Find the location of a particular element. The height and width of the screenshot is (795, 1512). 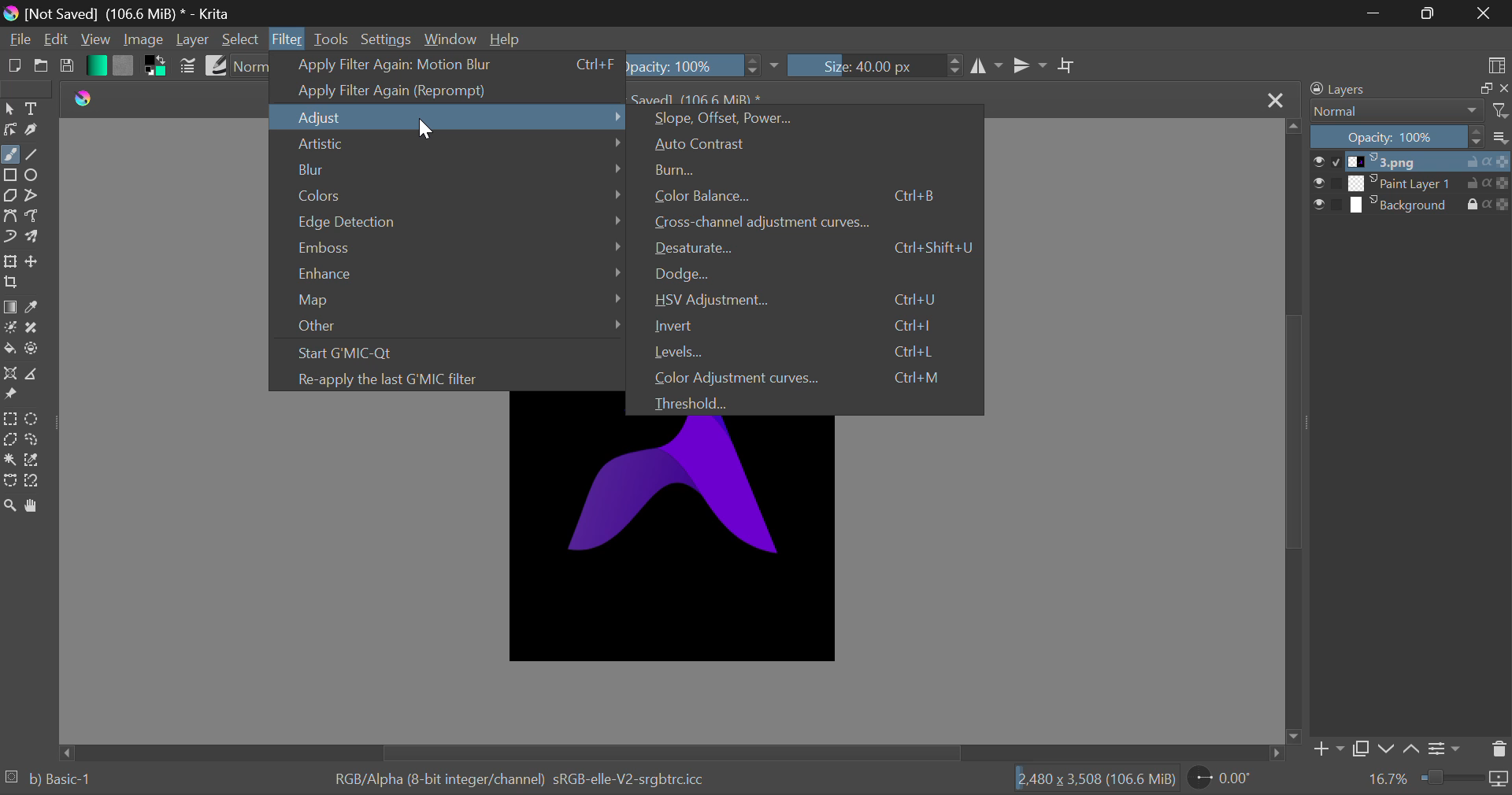

Add Layer is located at coordinates (1329, 749).